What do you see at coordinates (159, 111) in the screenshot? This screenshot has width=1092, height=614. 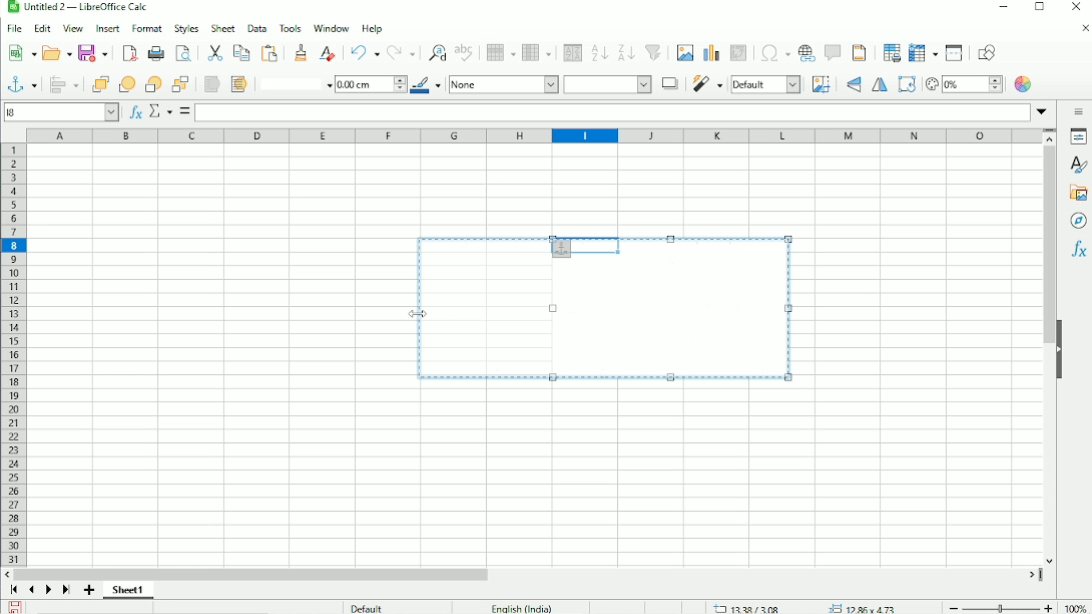 I see `Select function` at bounding box center [159, 111].